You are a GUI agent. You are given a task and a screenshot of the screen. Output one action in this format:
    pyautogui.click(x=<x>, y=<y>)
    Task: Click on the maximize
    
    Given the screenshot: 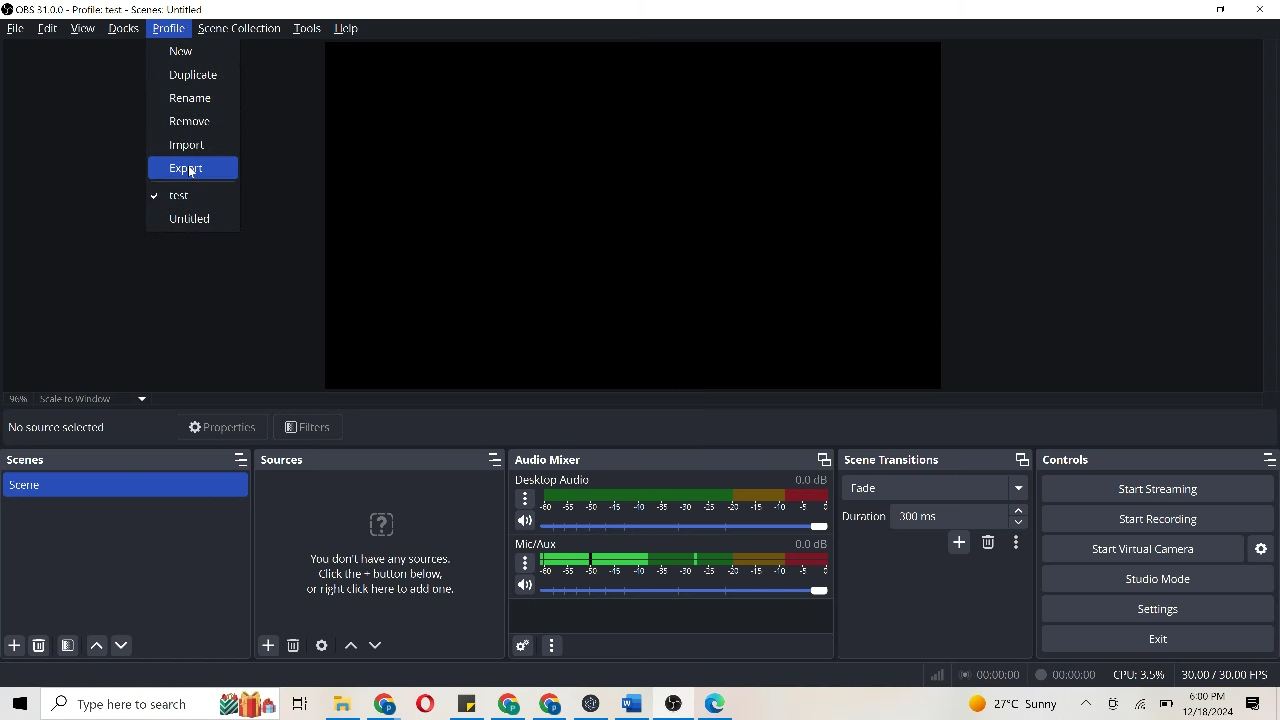 What is the action you would take?
    pyautogui.click(x=1020, y=458)
    